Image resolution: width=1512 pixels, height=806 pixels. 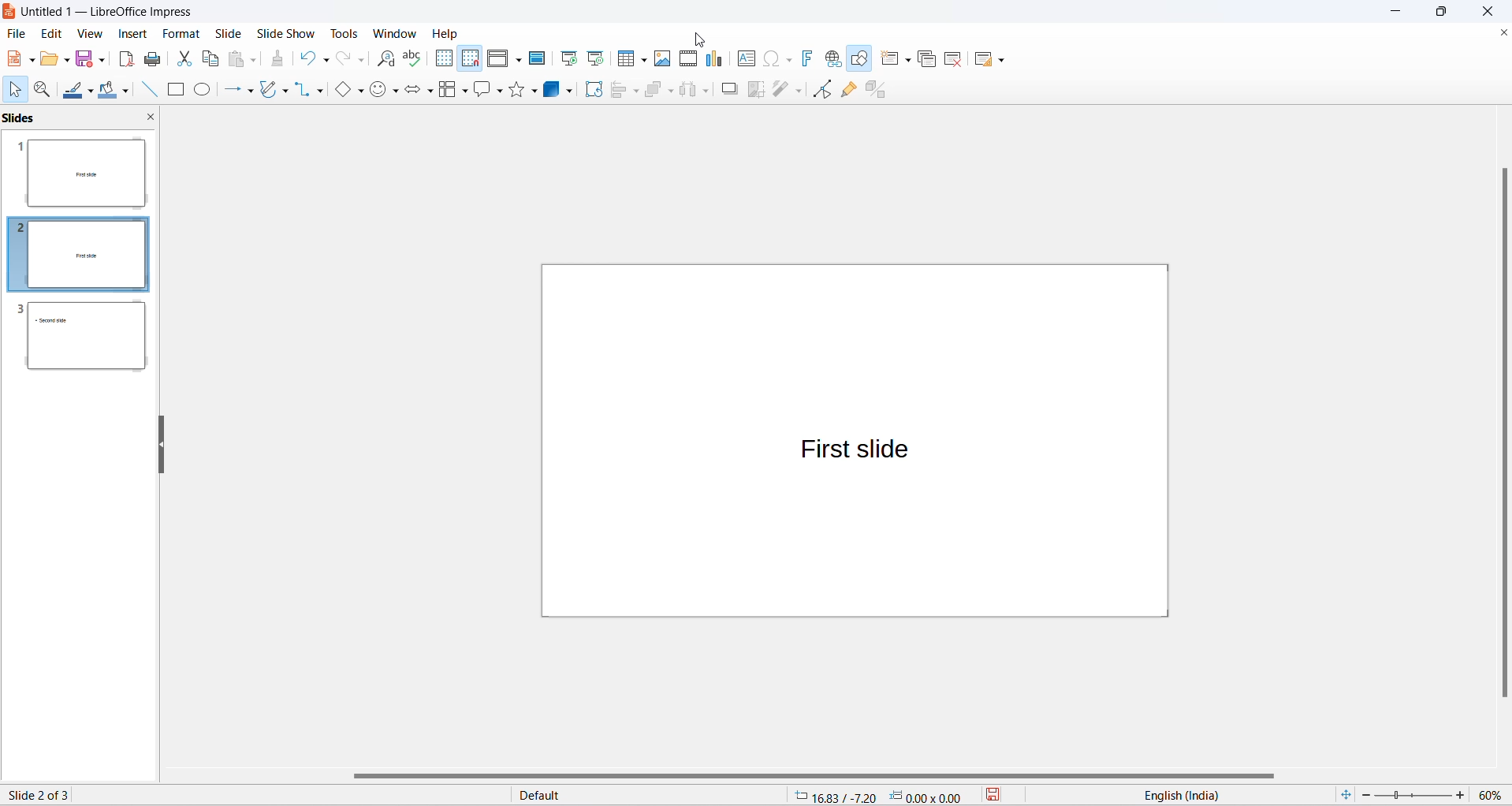 I want to click on print, so click(x=155, y=58).